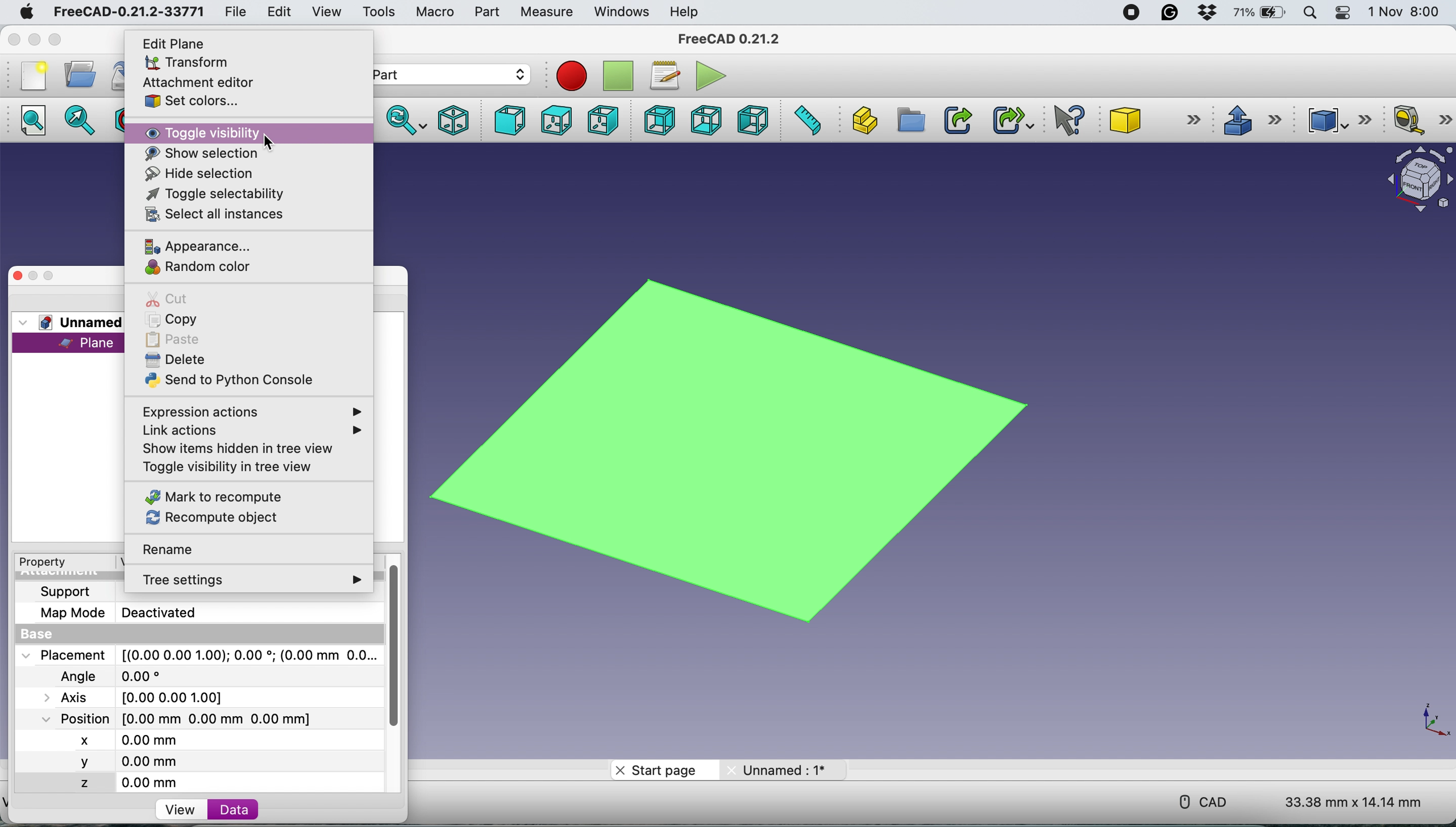  Describe the element at coordinates (192, 268) in the screenshot. I see `random color` at that location.